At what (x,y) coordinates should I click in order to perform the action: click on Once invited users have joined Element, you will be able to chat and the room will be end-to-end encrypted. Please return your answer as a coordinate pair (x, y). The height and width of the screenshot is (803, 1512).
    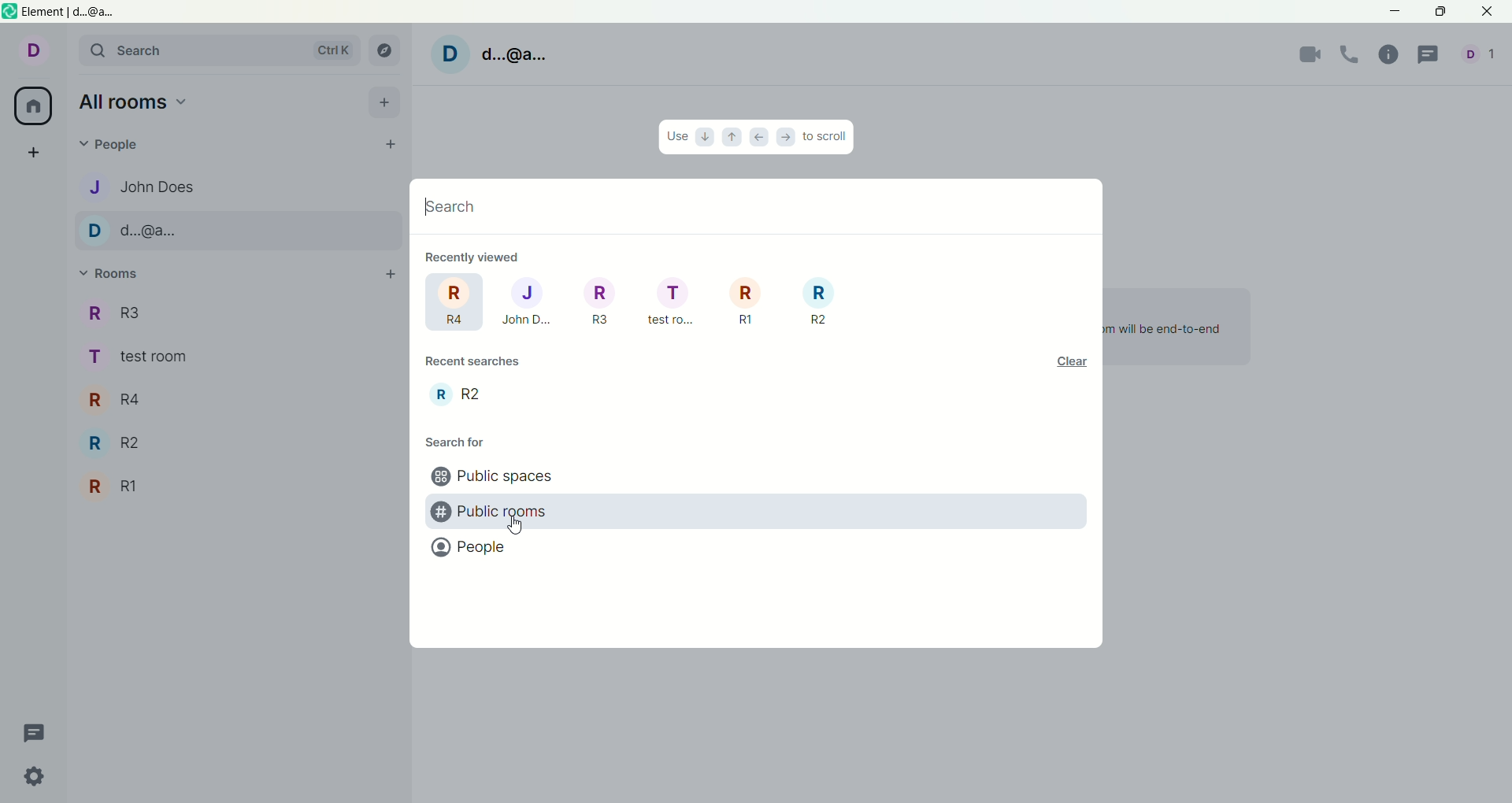
    Looking at the image, I should click on (1163, 338).